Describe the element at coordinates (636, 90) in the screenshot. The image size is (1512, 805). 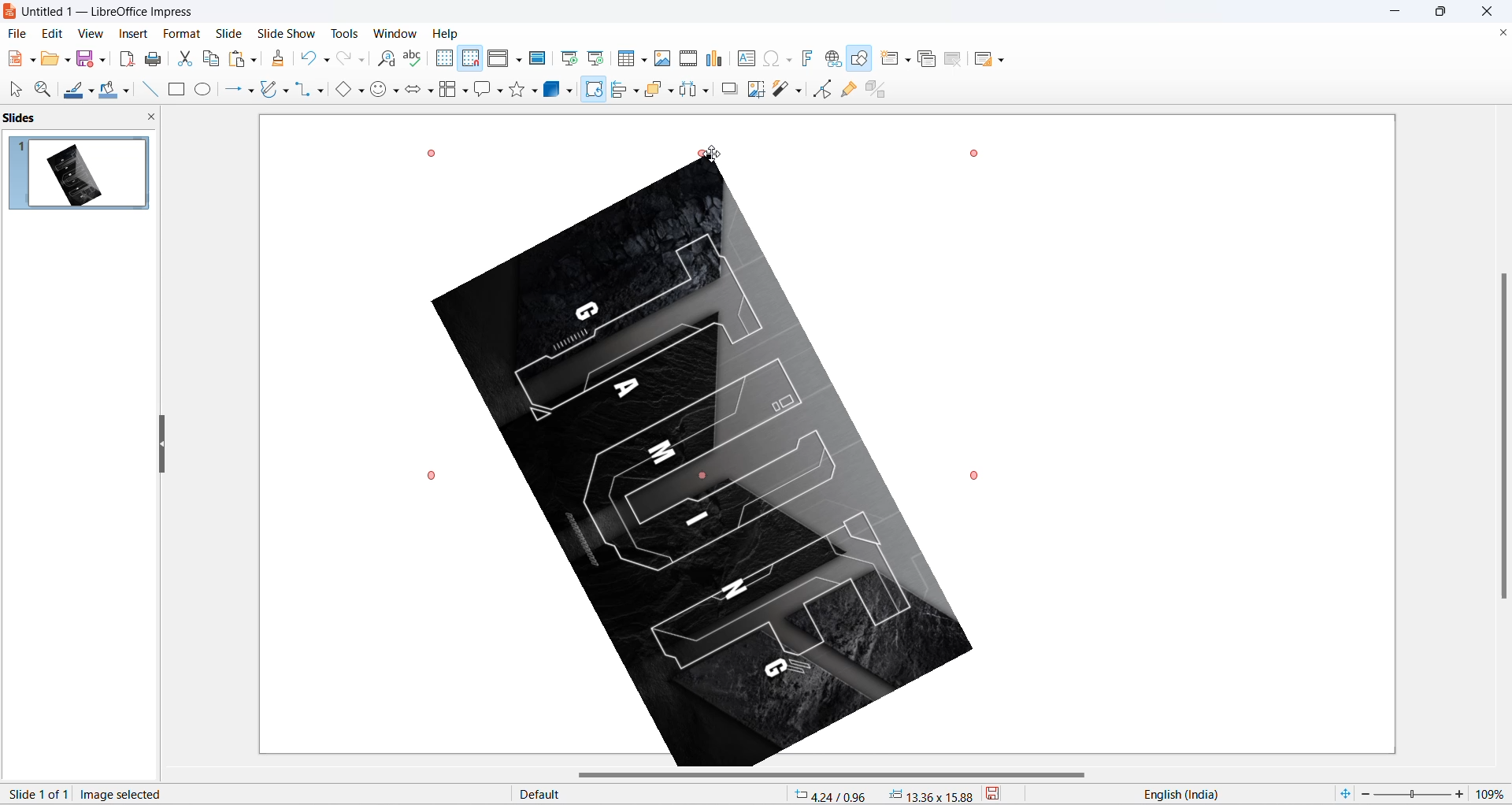
I see `align options` at that location.